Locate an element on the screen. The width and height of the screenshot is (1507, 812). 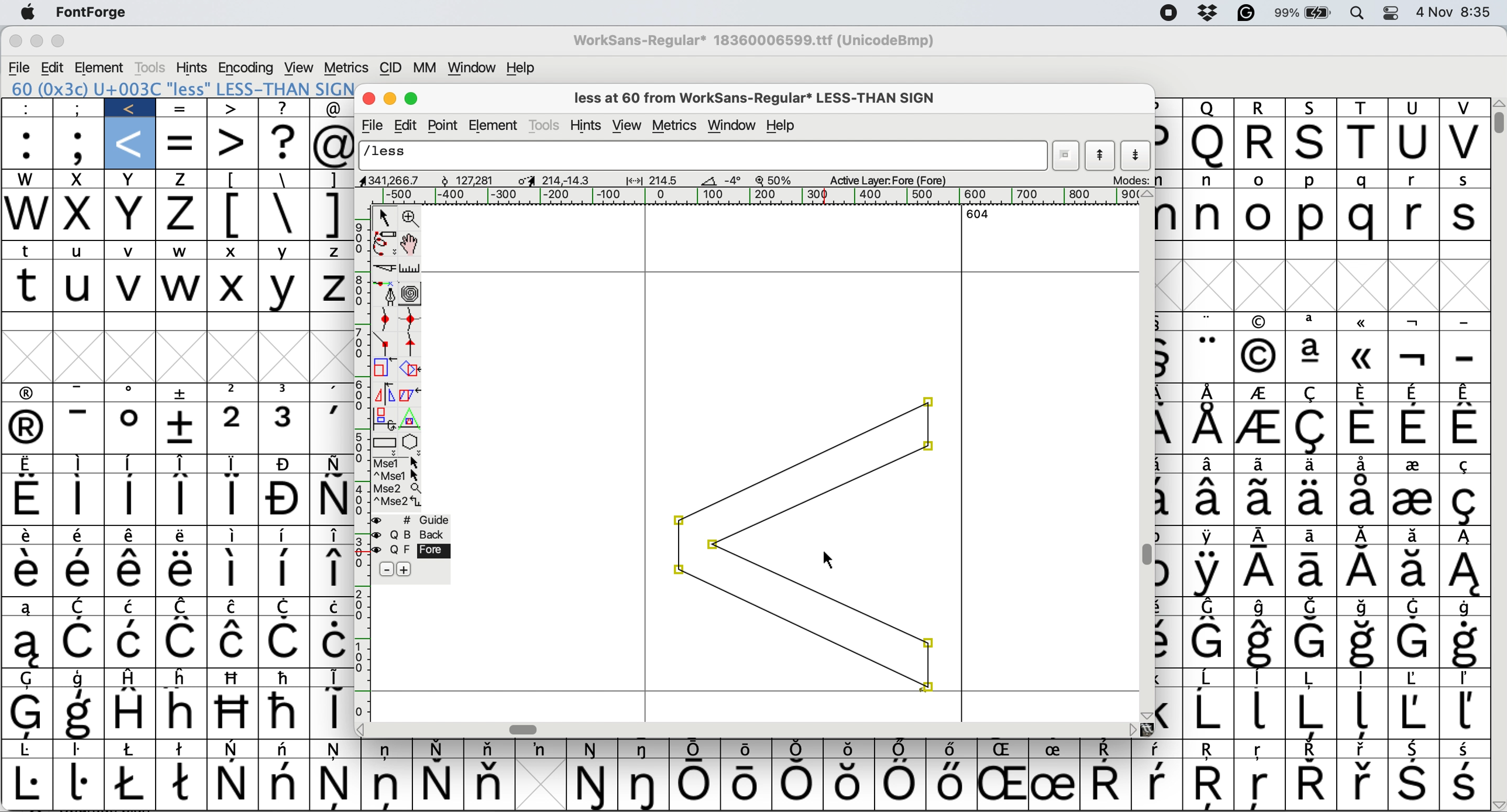
element is located at coordinates (100, 67).